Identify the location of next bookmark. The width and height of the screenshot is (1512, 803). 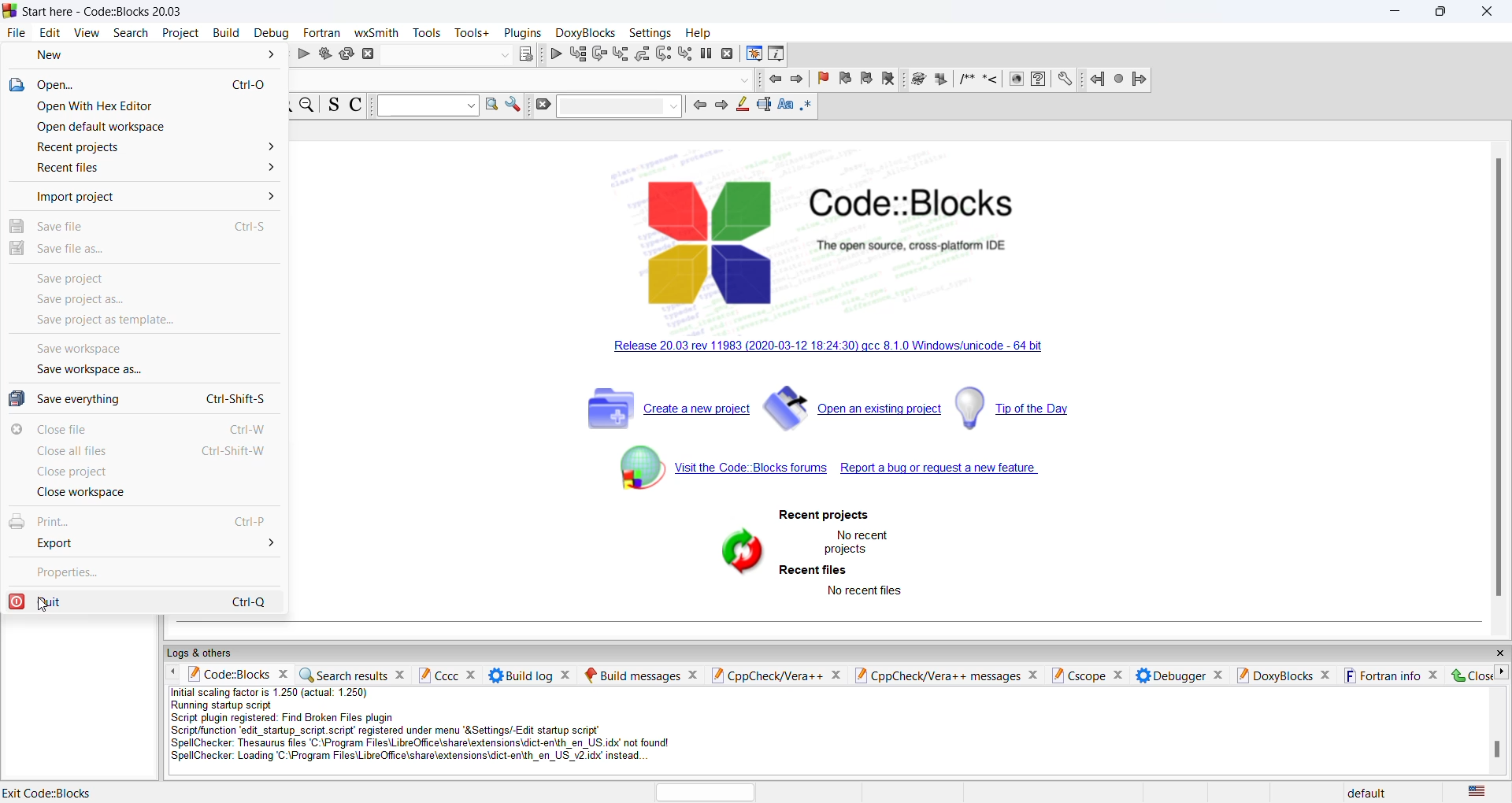
(865, 78).